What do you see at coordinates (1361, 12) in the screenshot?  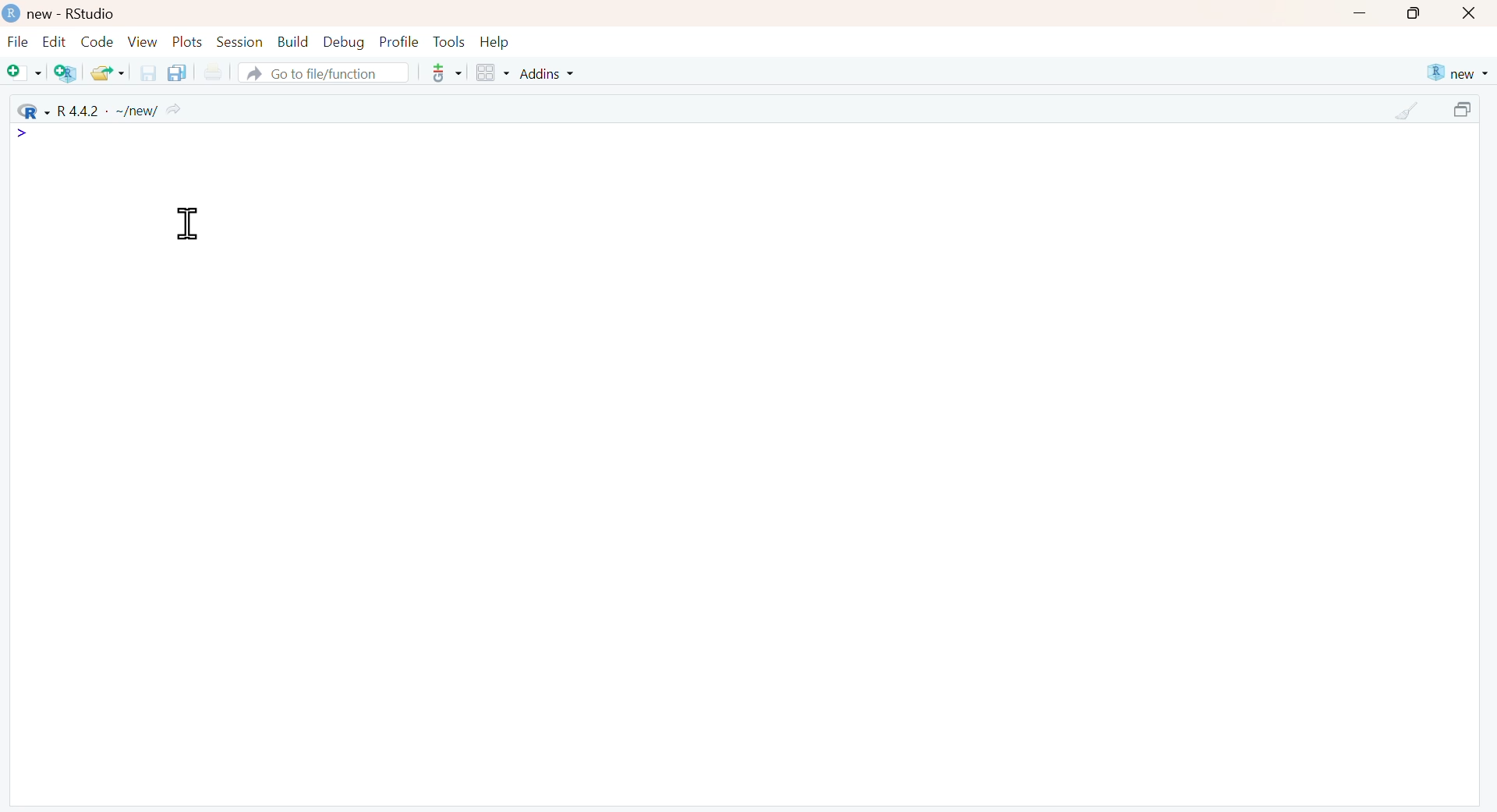 I see `minimize` at bounding box center [1361, 12].